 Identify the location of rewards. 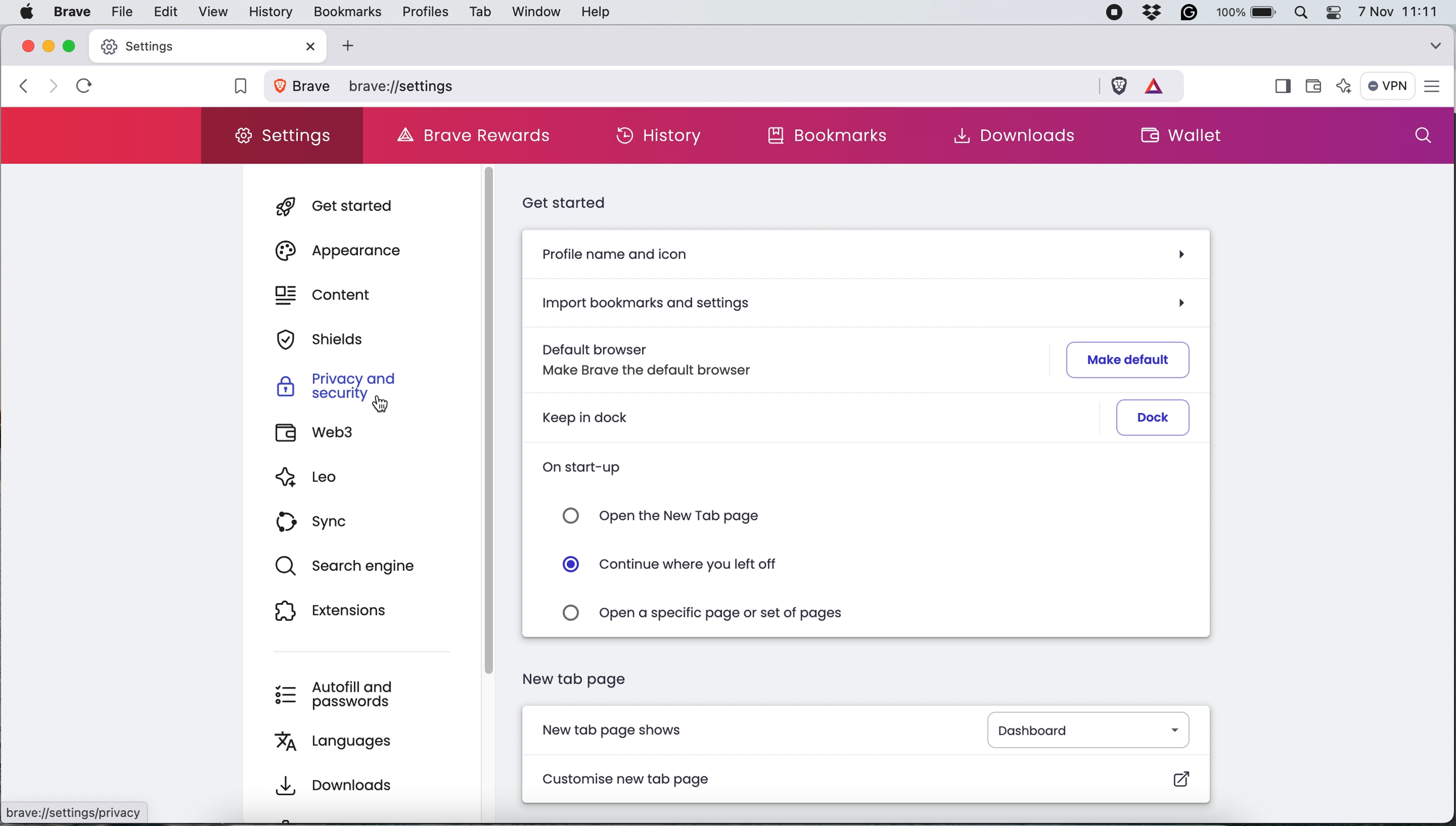
(1160, 84).